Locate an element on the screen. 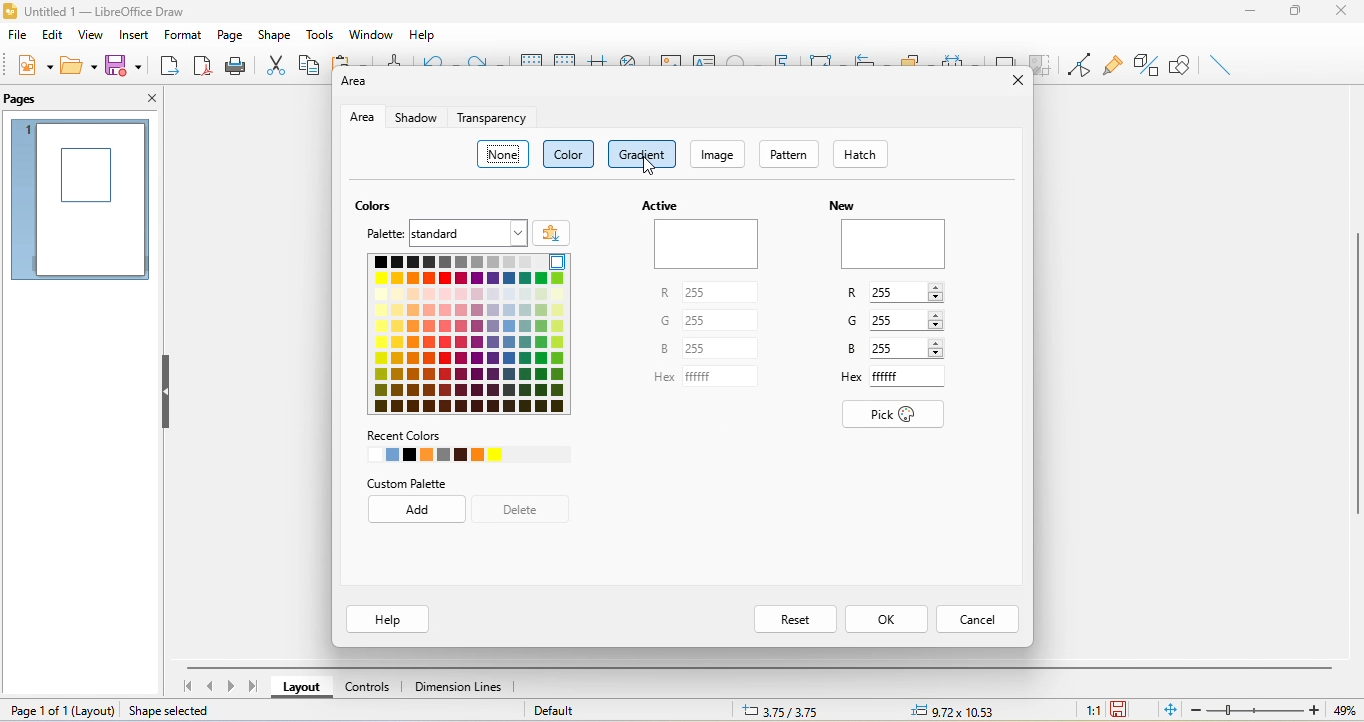 This screenshot has width=1364, height=722. close is located at coordinates (146, 100).